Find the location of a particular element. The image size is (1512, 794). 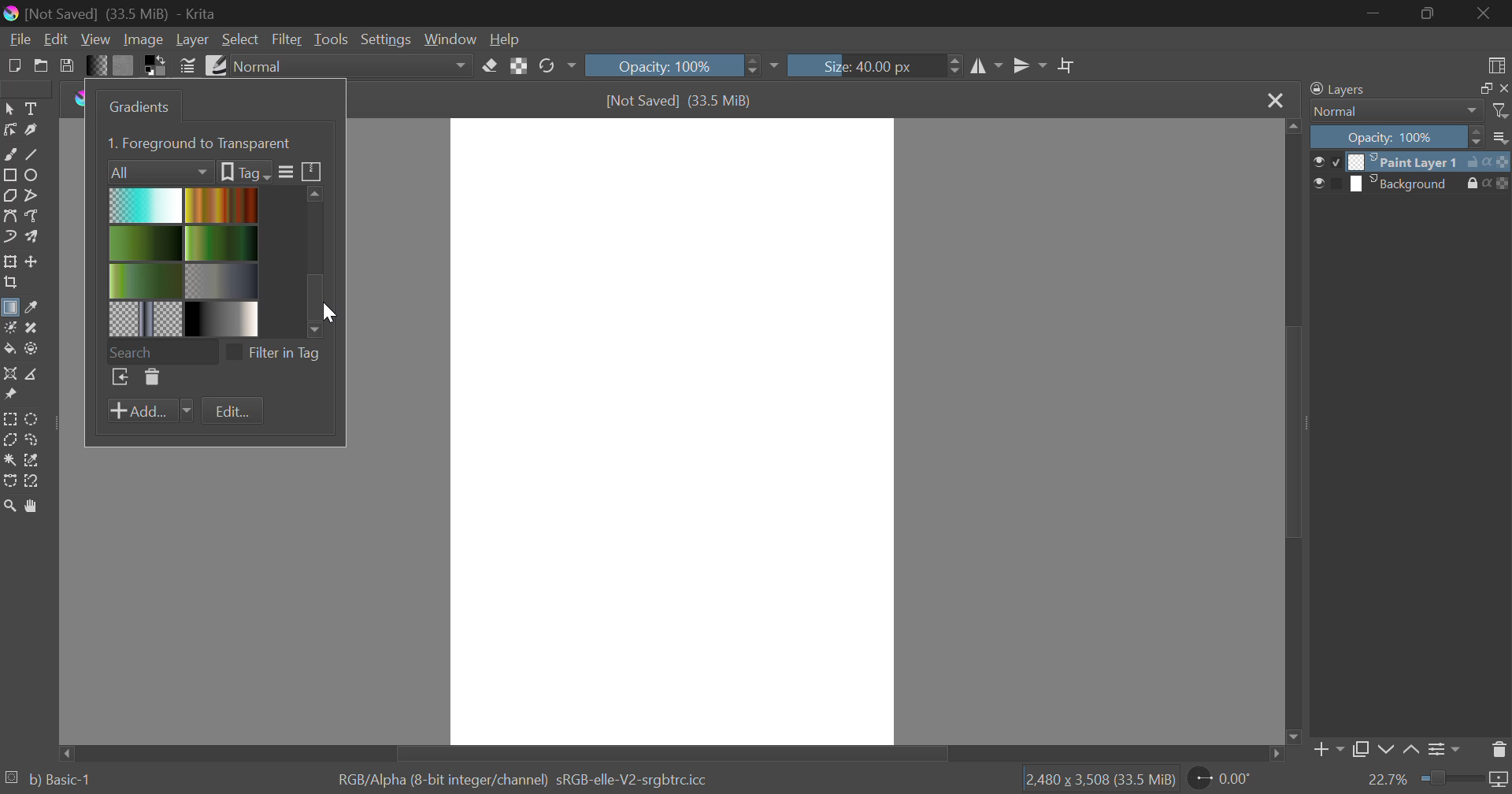

New is located at coordinates (13, 64).